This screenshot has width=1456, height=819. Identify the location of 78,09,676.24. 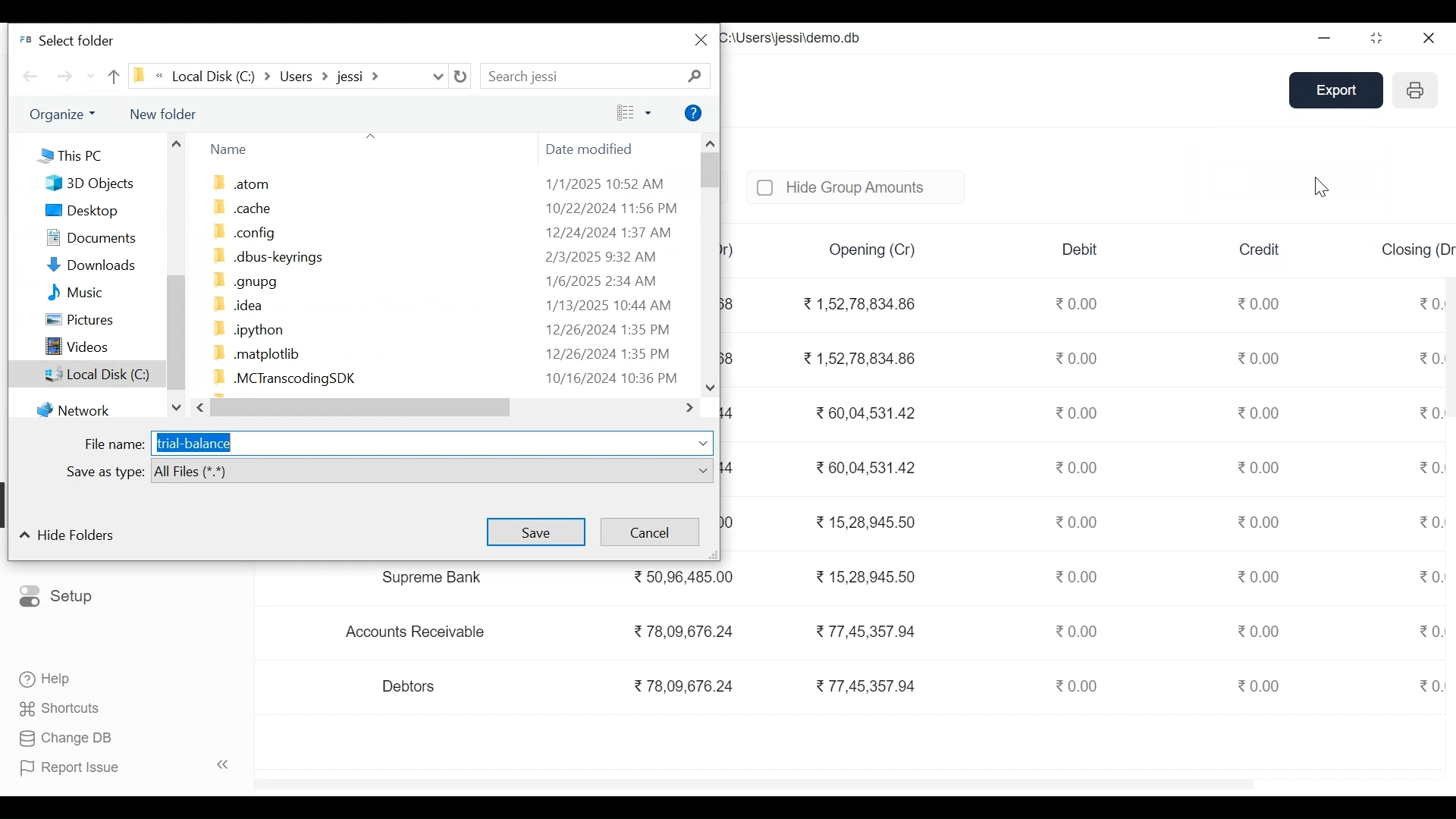
(683, 686).